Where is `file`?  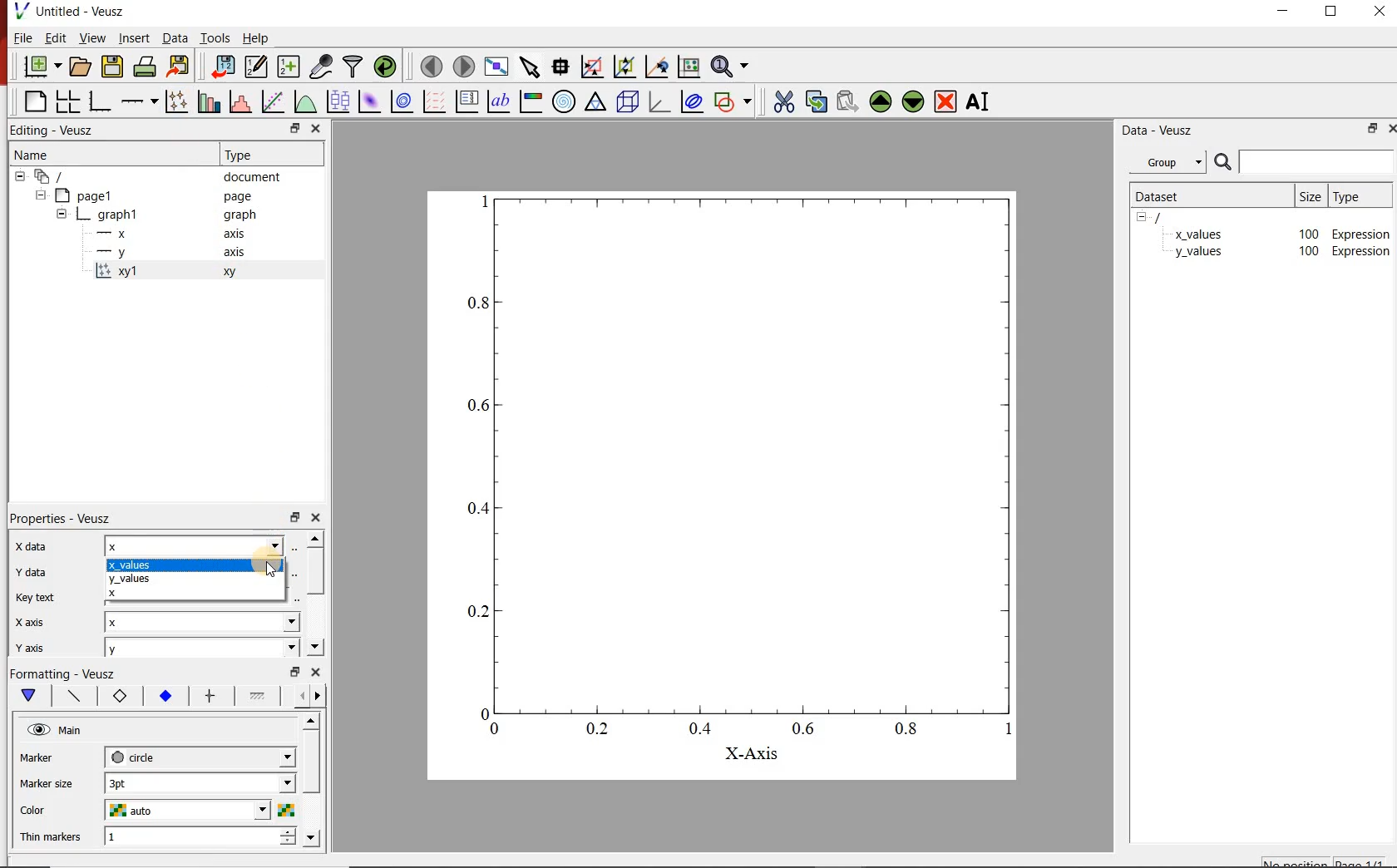 file is located at coordinates (24, 37).